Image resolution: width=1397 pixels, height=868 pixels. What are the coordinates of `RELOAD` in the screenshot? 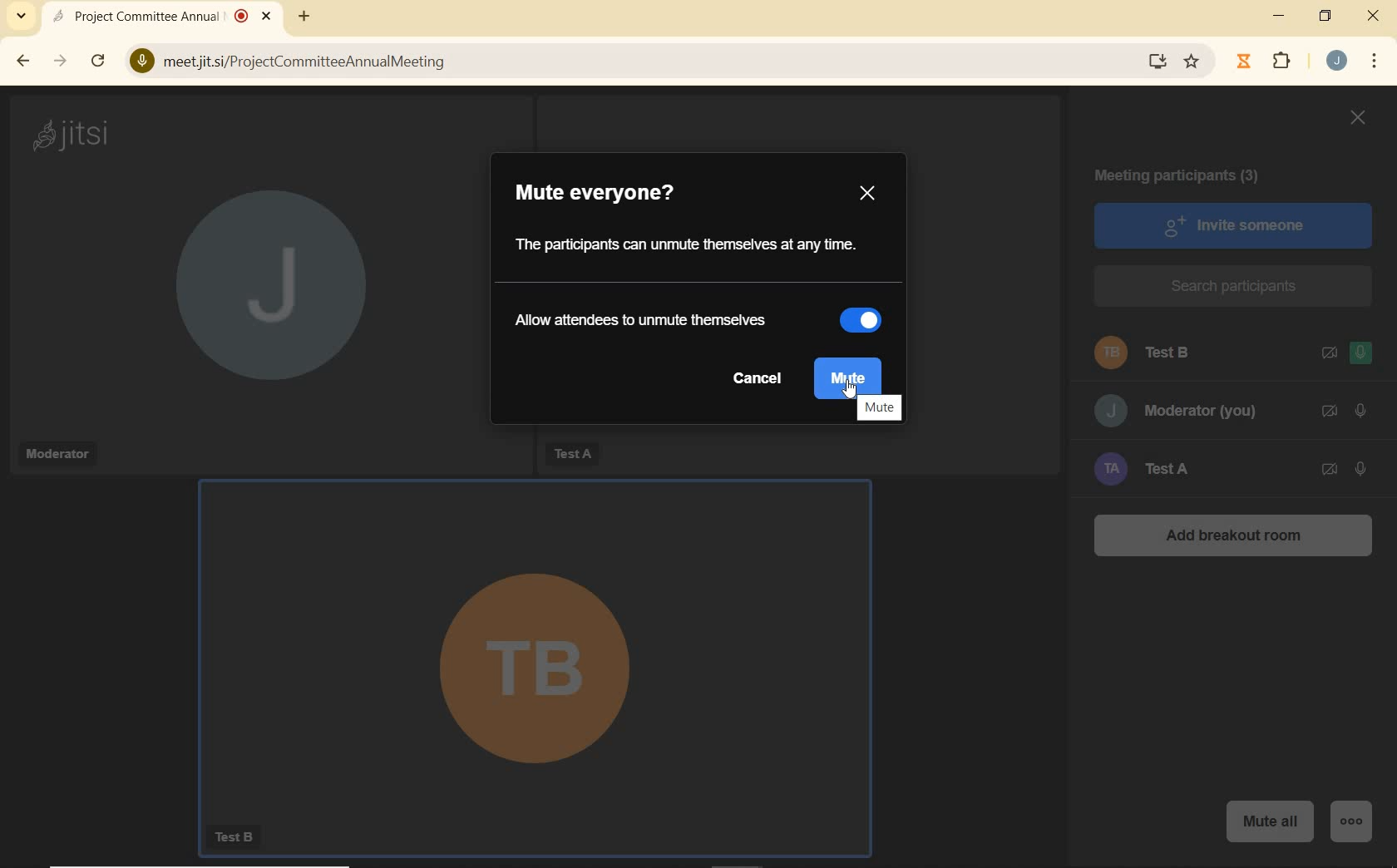 It's located at (97, 62).